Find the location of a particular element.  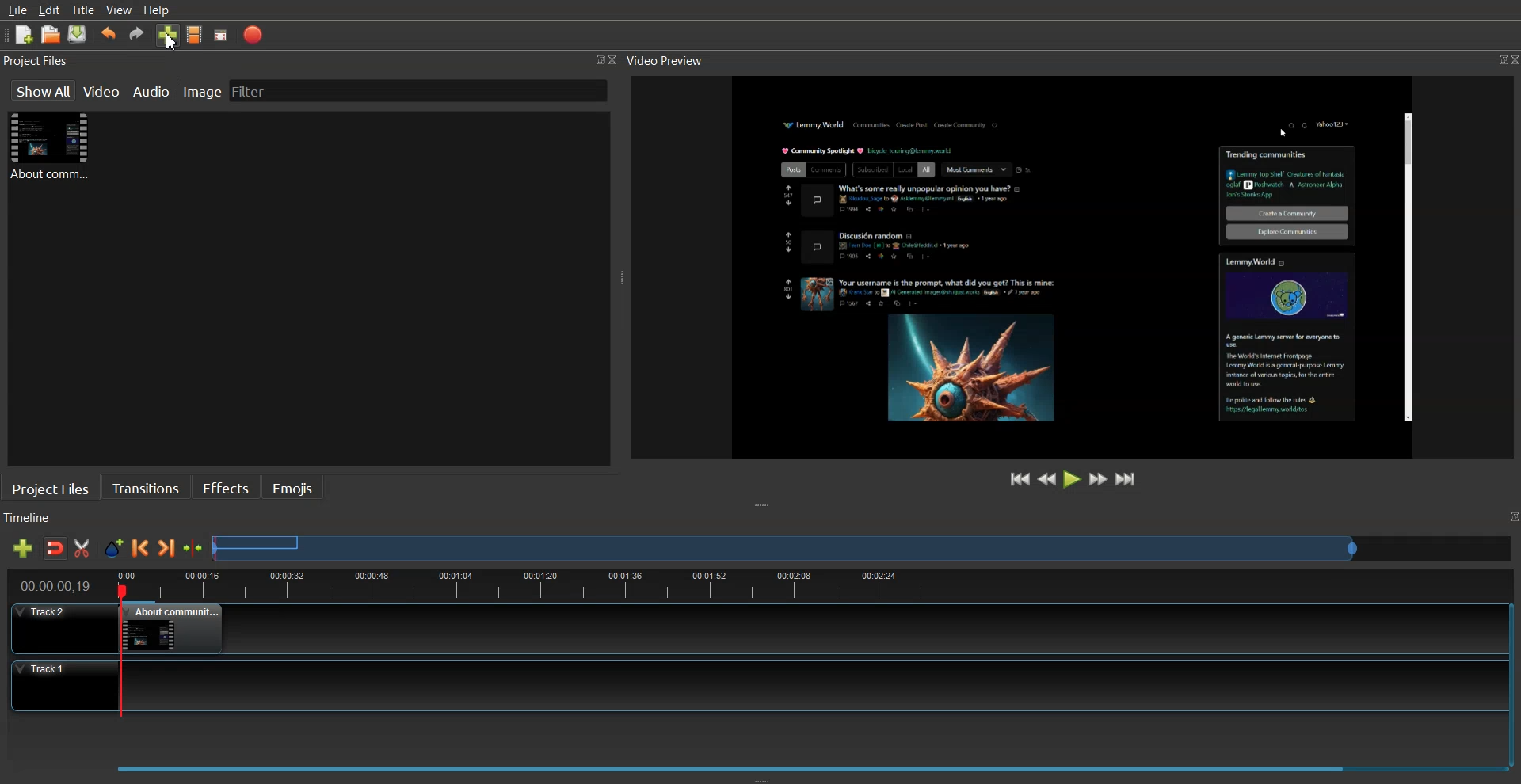

Full screen is located at coordinates (221, 36).